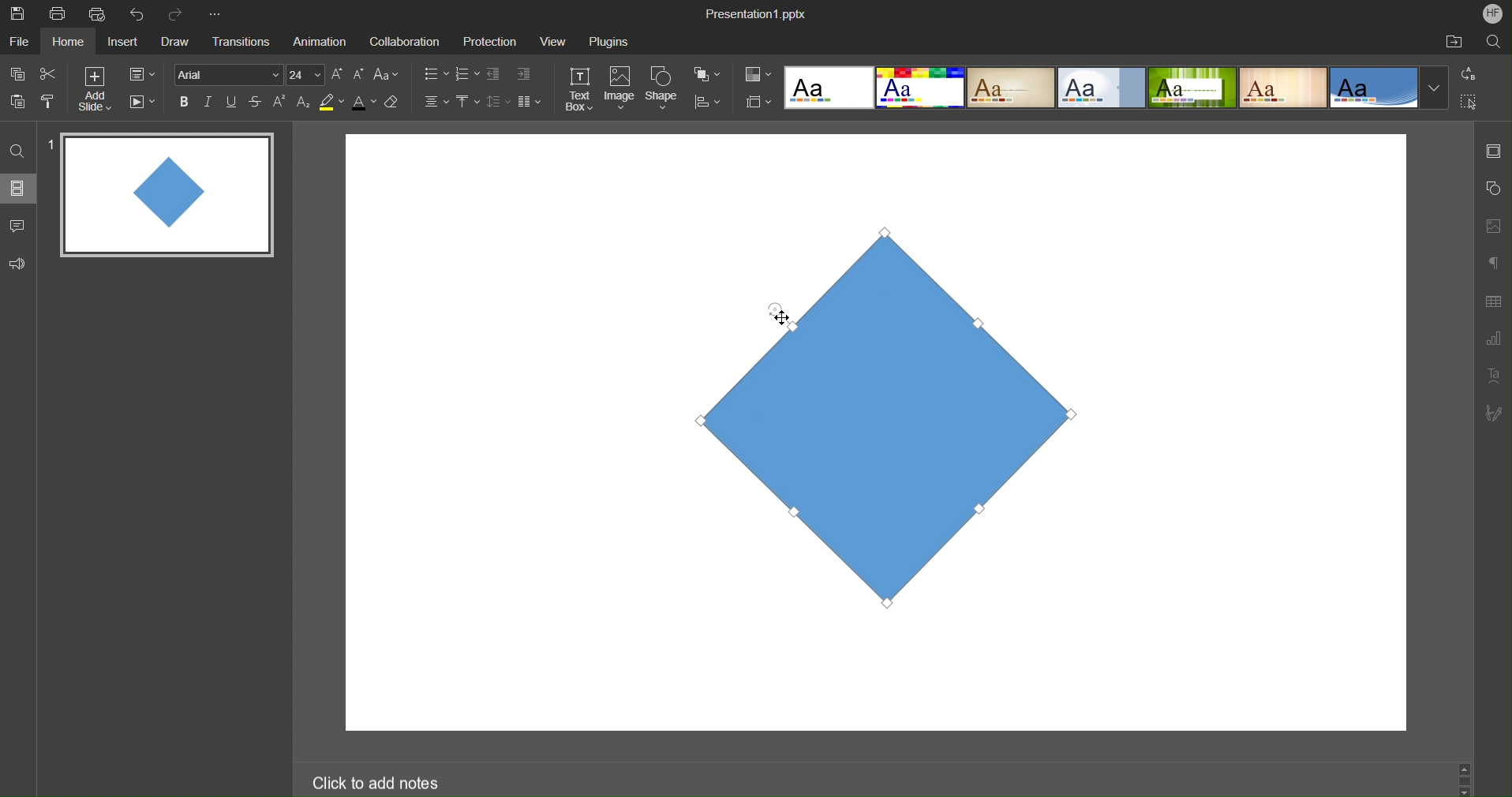 The height and width of the screenshot is (797, 1512). I want to click on Font Size, so click(305, 76).